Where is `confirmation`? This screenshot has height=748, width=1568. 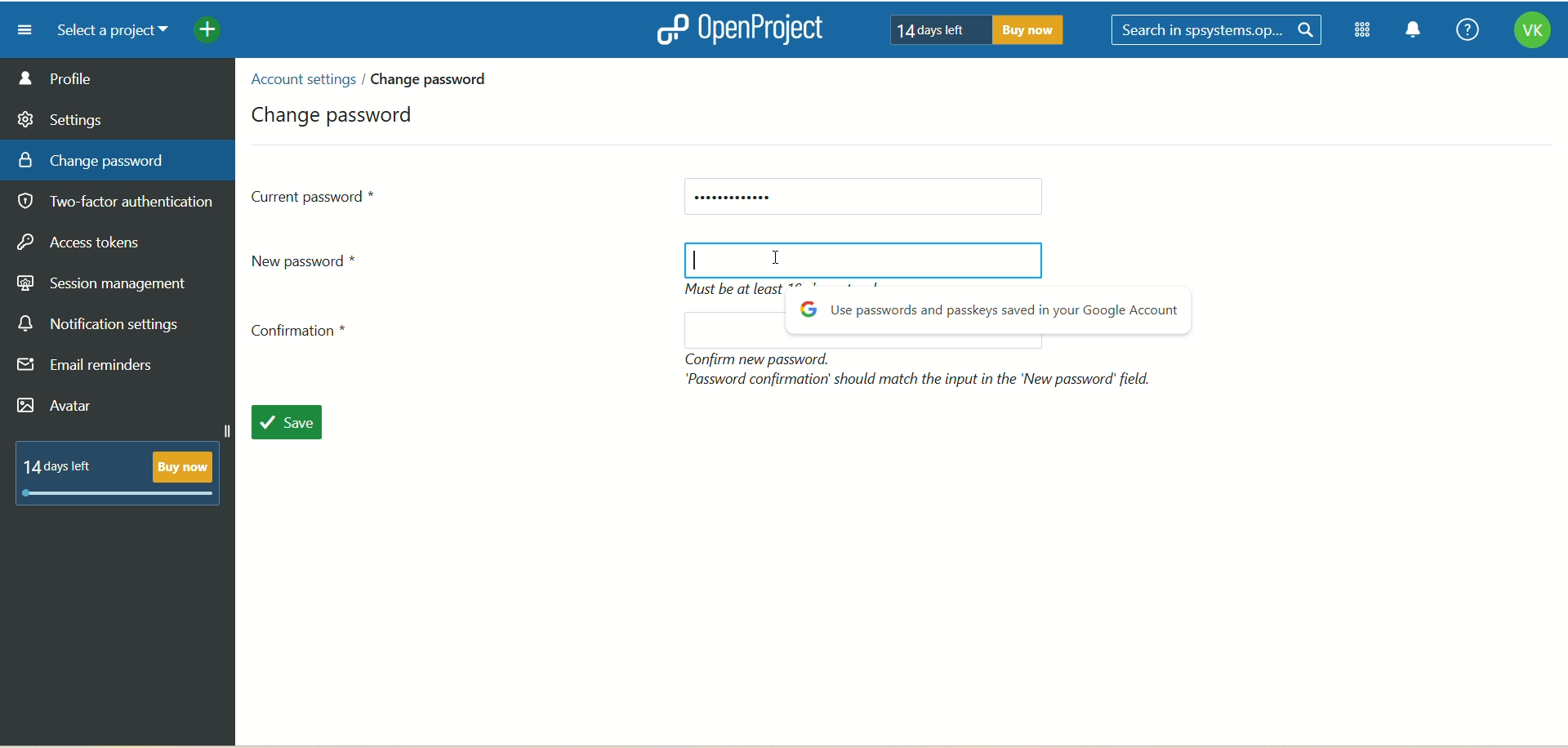
confirmation is located at coordinates (305, 335).